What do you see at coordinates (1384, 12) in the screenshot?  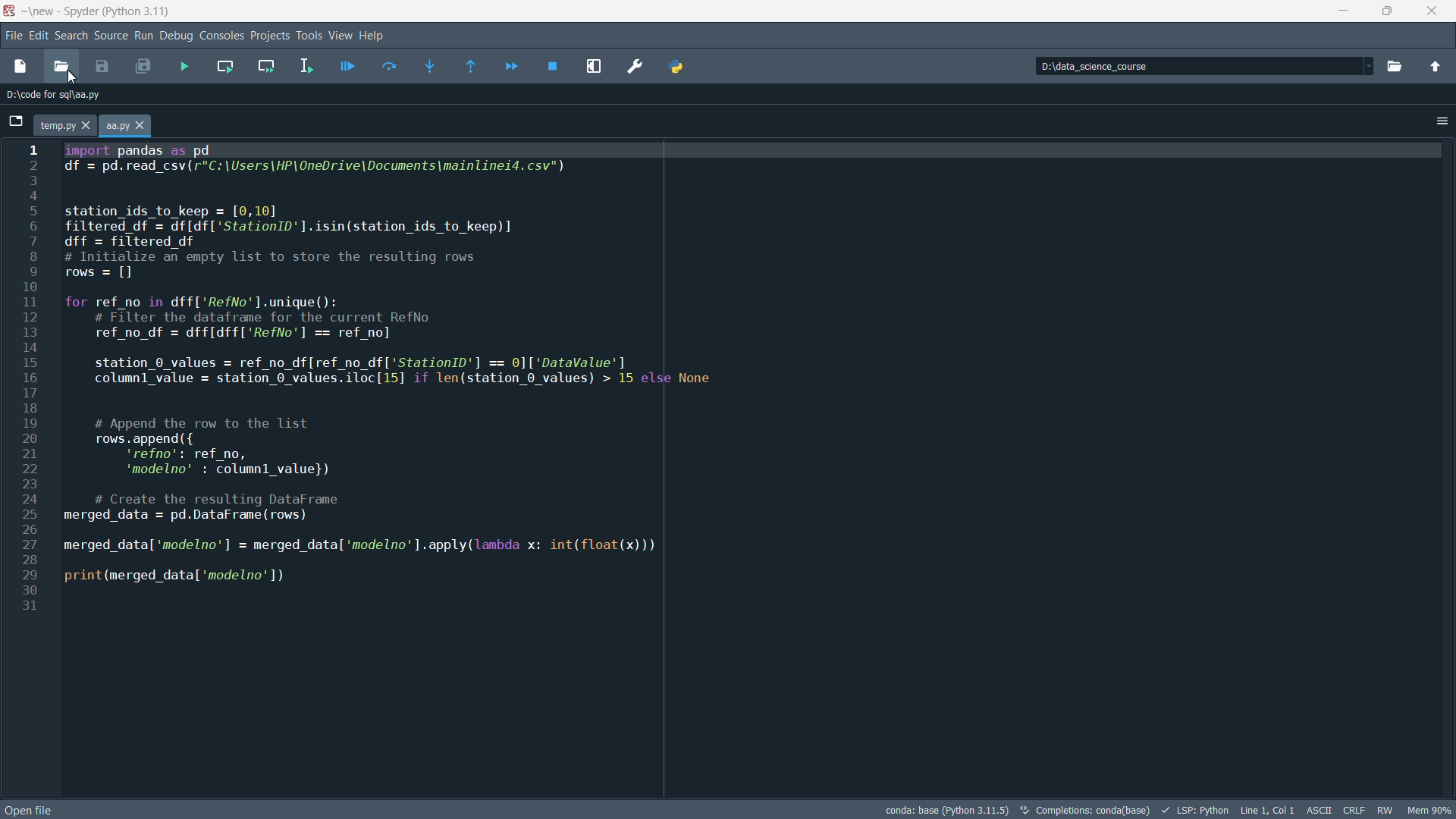 I see `maximize` at bounding box center [1384, 12].